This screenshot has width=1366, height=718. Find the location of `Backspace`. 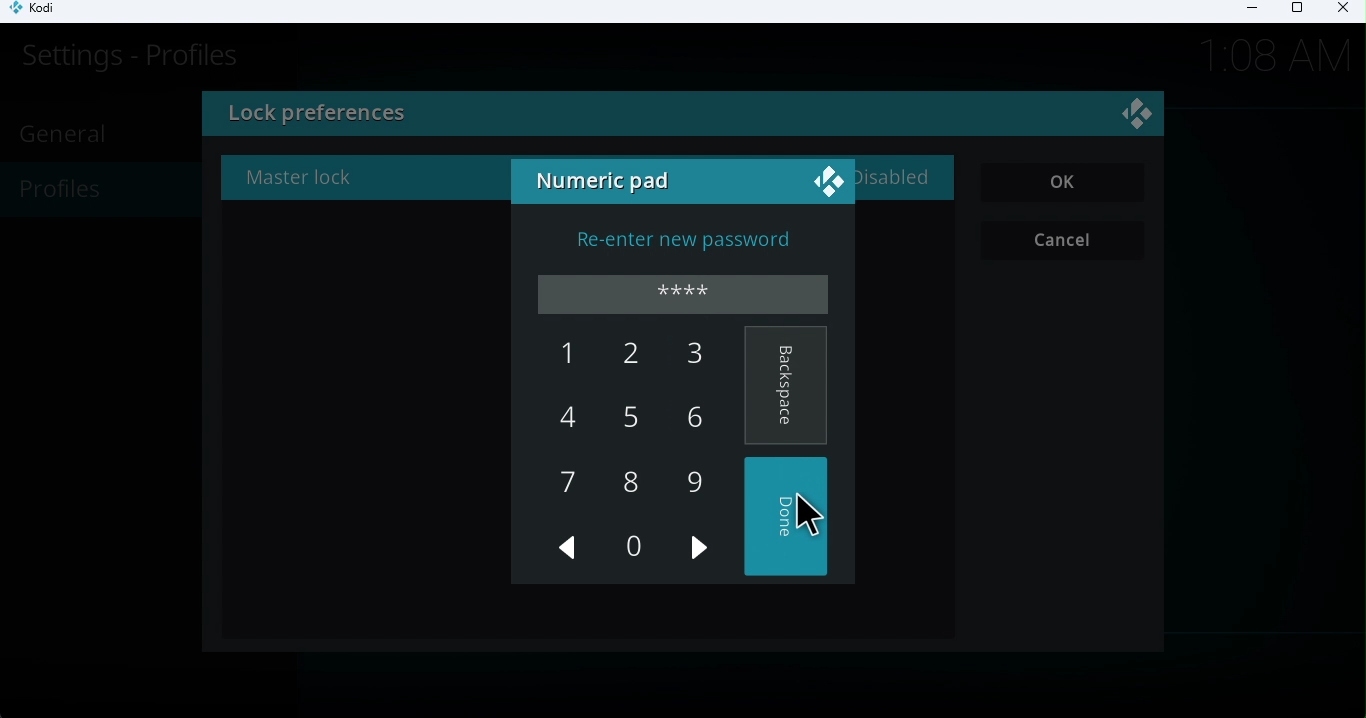

Backspace is located at coordinates (786, 386).